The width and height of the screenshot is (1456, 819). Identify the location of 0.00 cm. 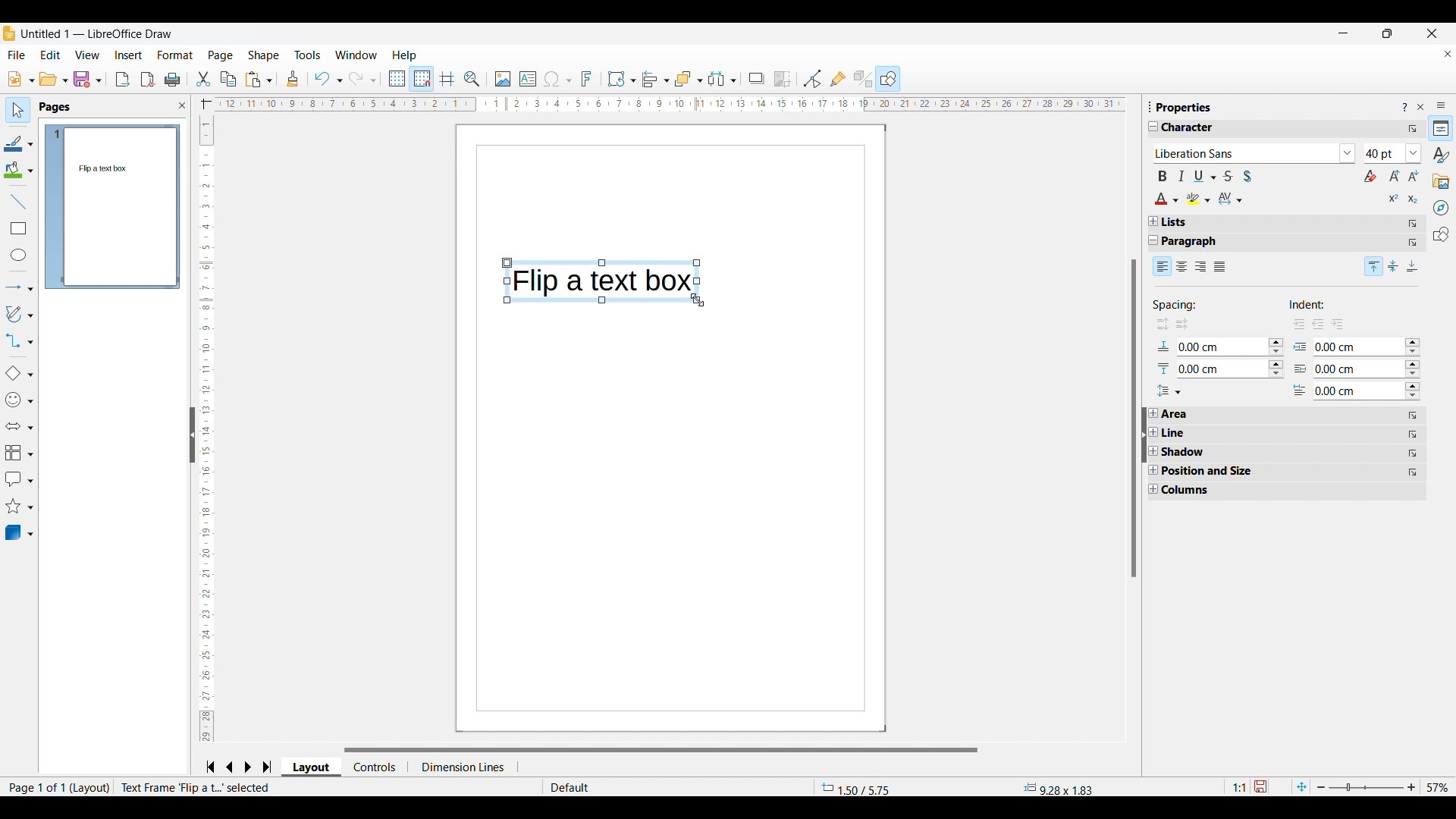
(1357, 345).